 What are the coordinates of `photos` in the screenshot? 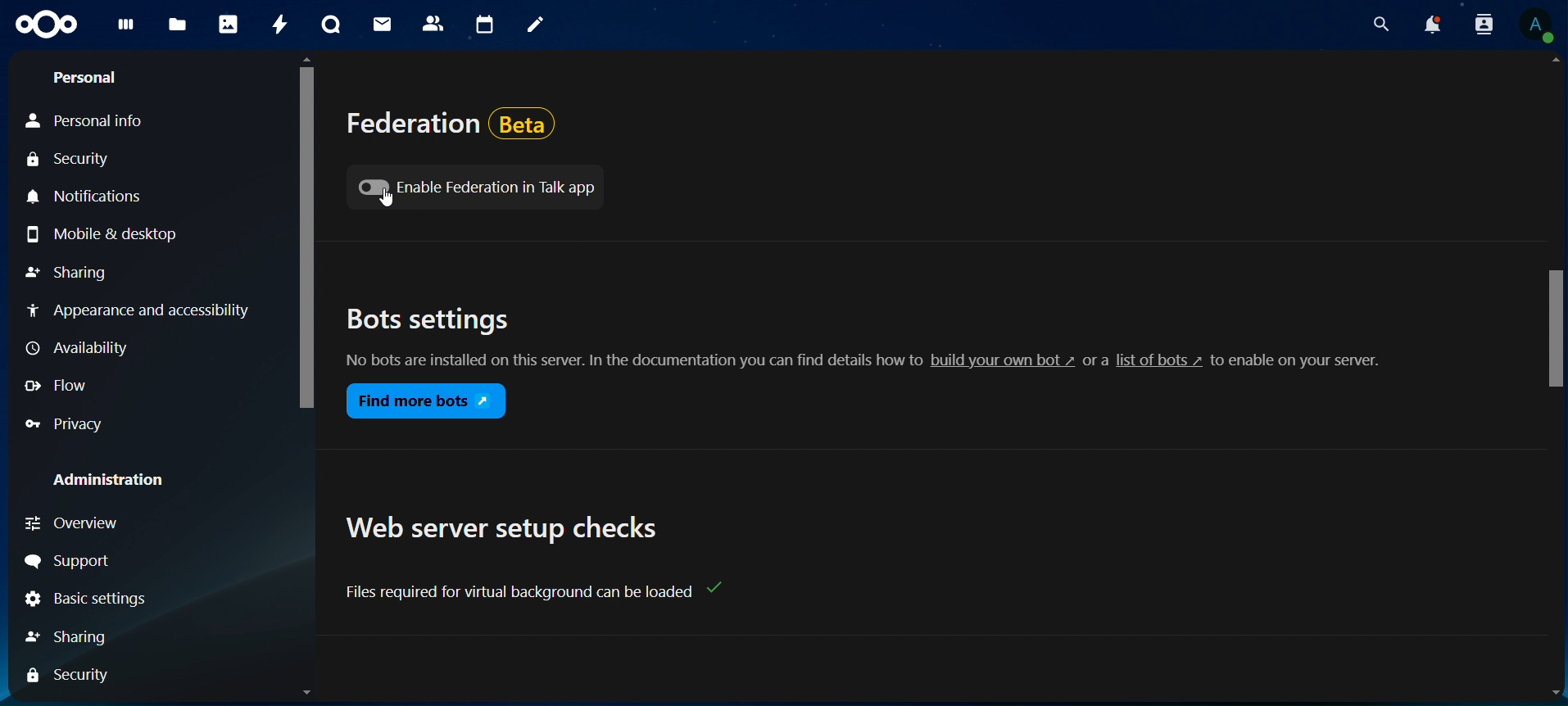 It's located at (228, 24).